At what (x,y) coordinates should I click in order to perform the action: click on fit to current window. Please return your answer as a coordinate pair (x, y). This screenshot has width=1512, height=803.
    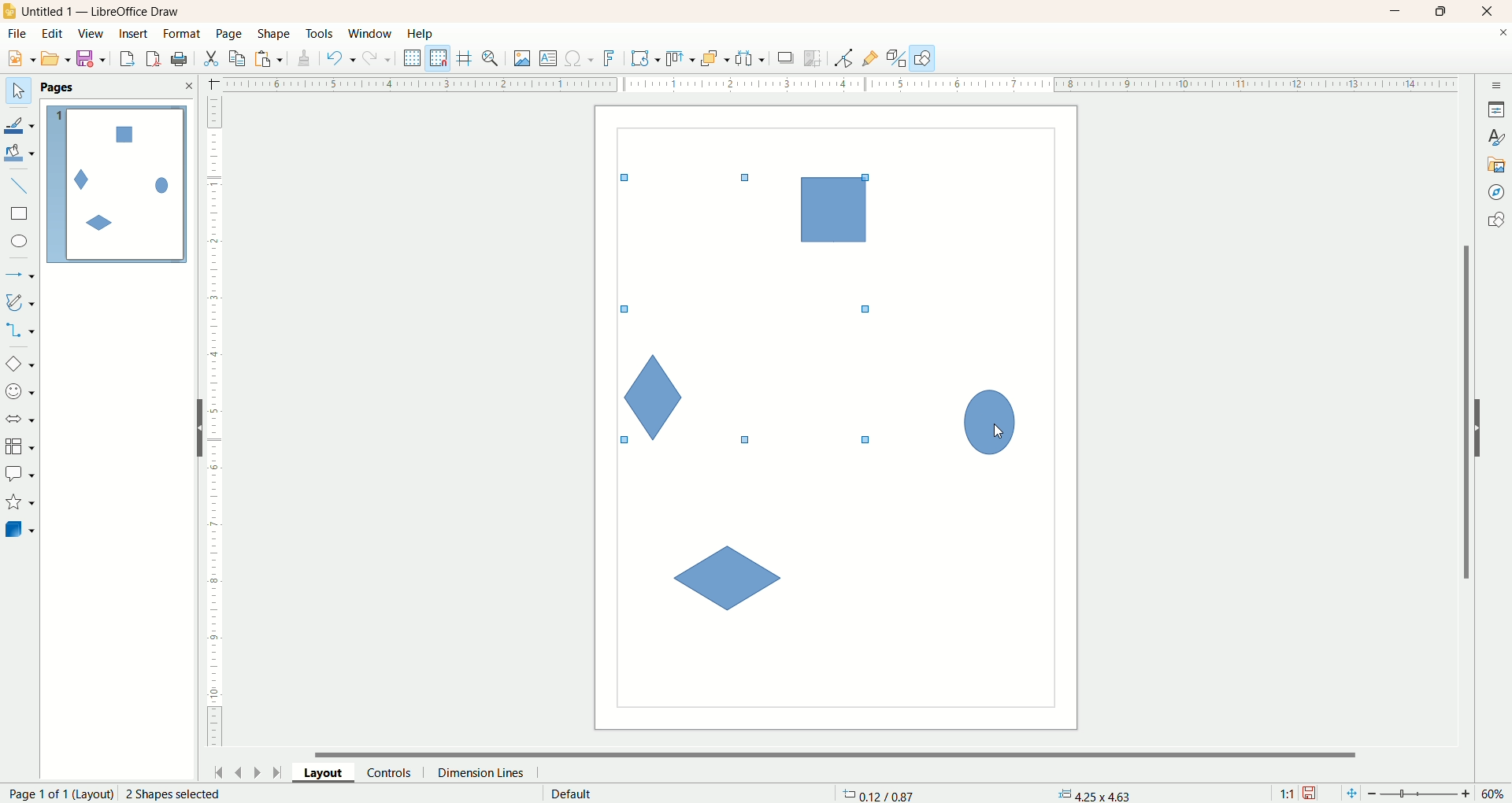
    Looking at the image, I should click on (1350, 794).